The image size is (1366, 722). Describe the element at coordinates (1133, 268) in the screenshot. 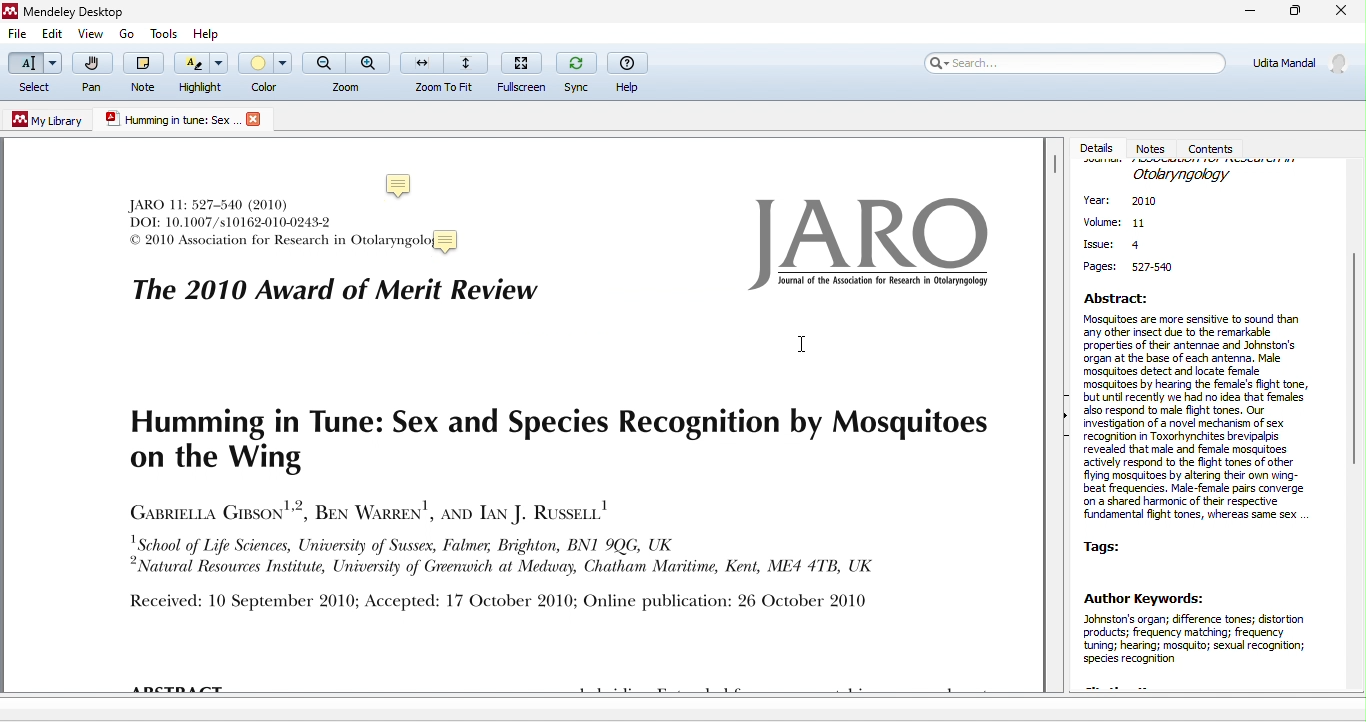

I see `page: 527-540` at that location.